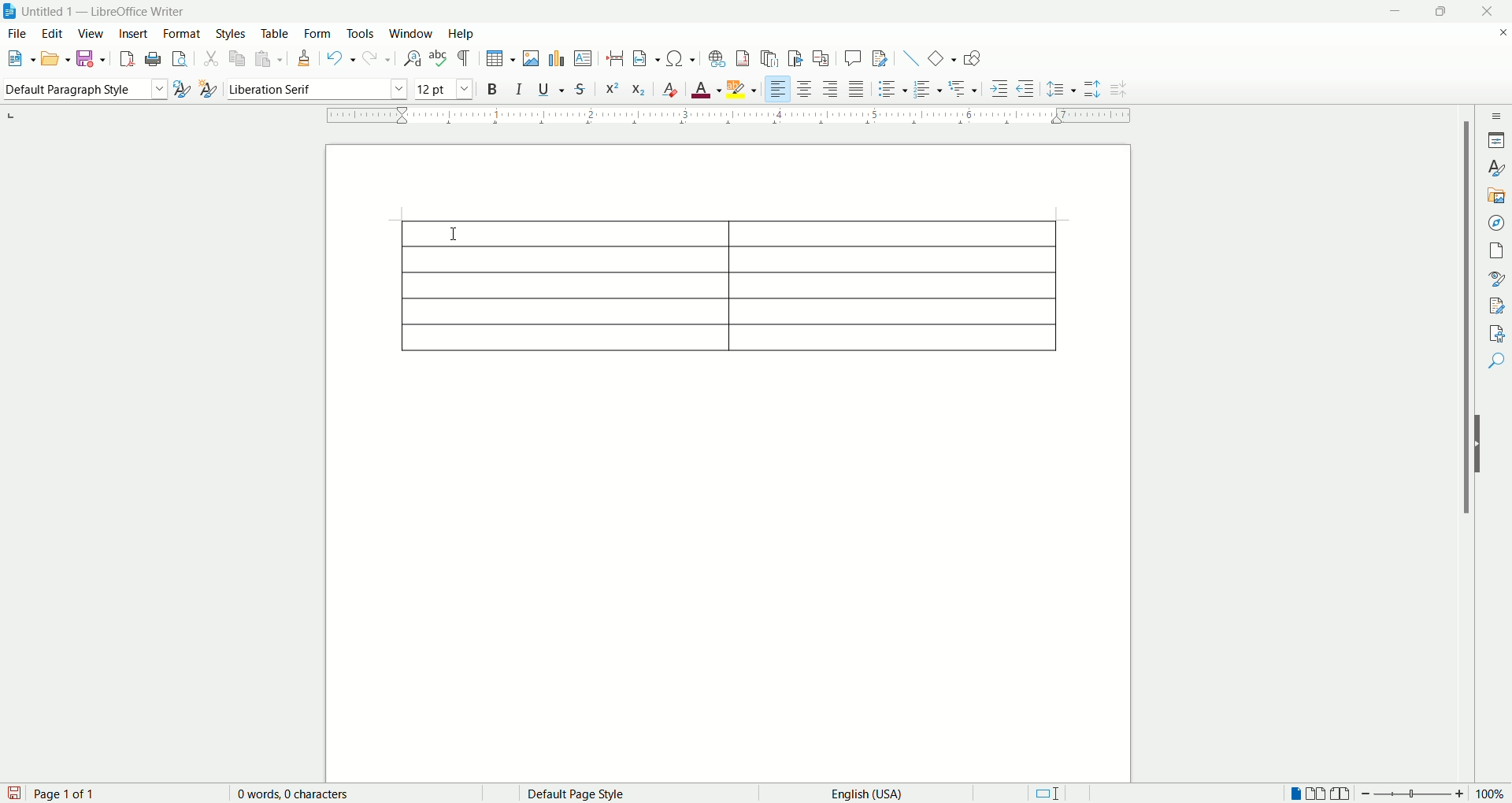 The height and width of the screenshot is (803, 1512). Describe the element at coordinates (1399, 12) in the screenshot. I see `minimize` at that location.